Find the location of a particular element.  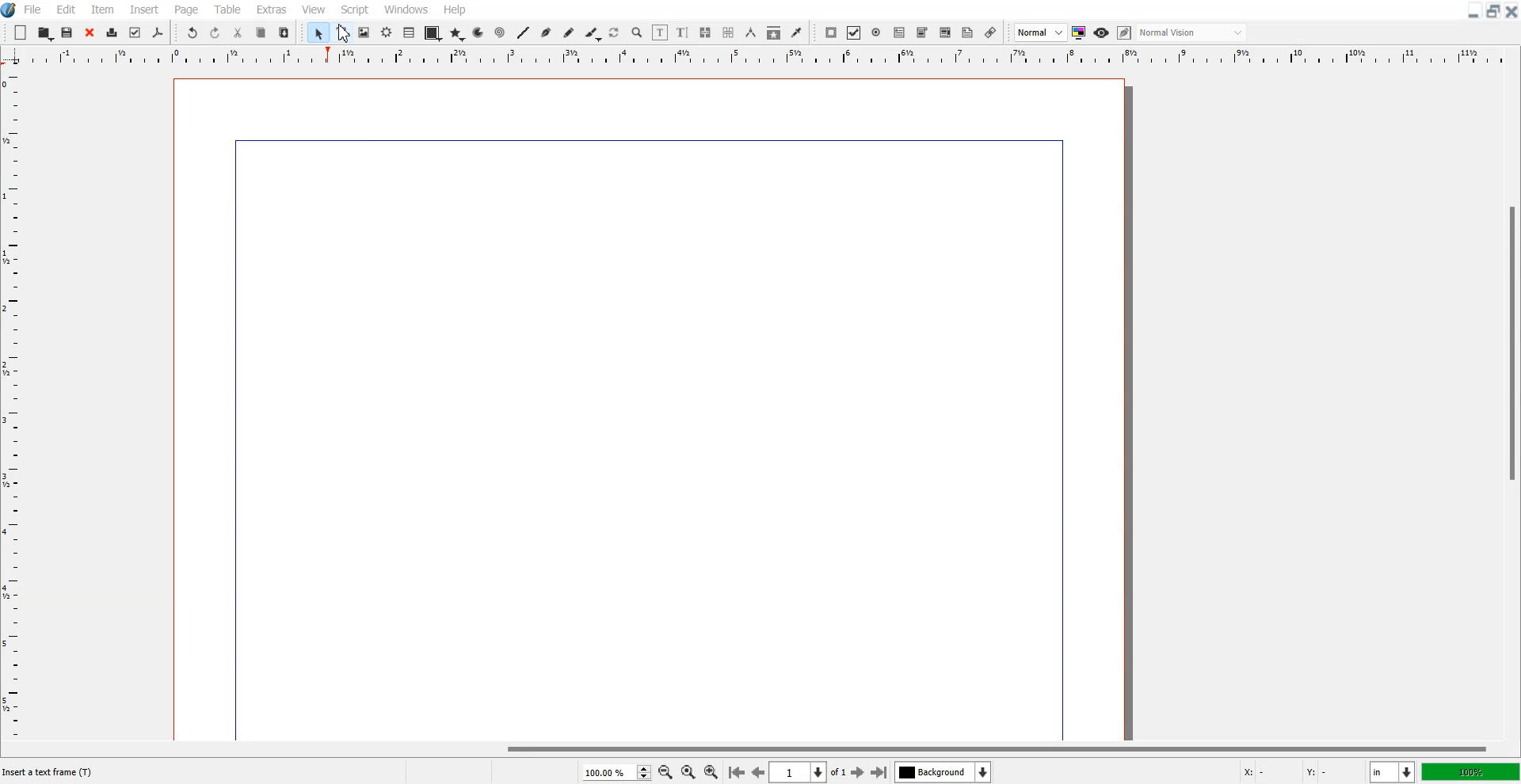

Select current page is located at coordinates (808, 772).